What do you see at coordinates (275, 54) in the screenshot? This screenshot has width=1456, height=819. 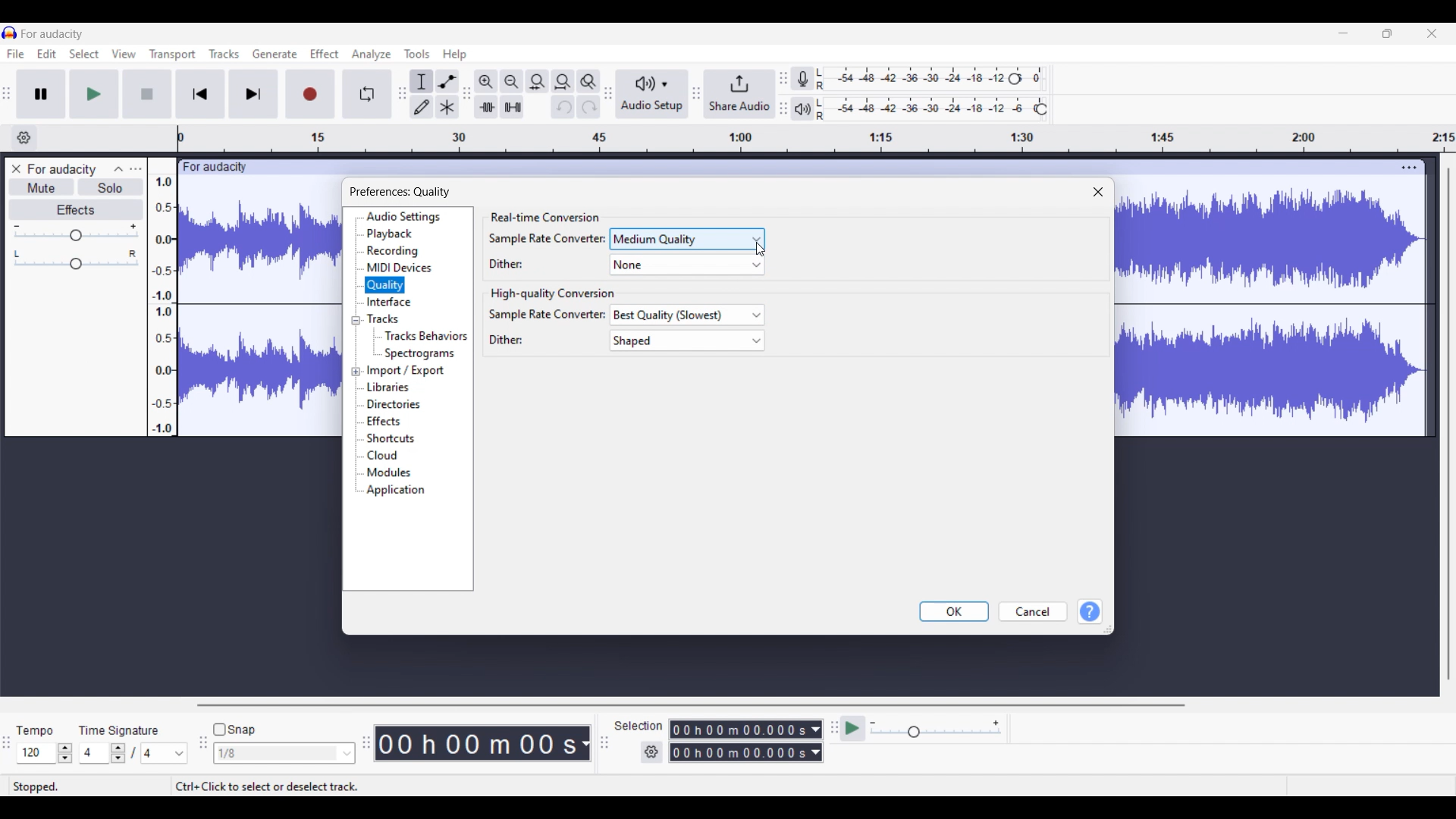 I see `Generate menu` at bounding box center [275, 54].